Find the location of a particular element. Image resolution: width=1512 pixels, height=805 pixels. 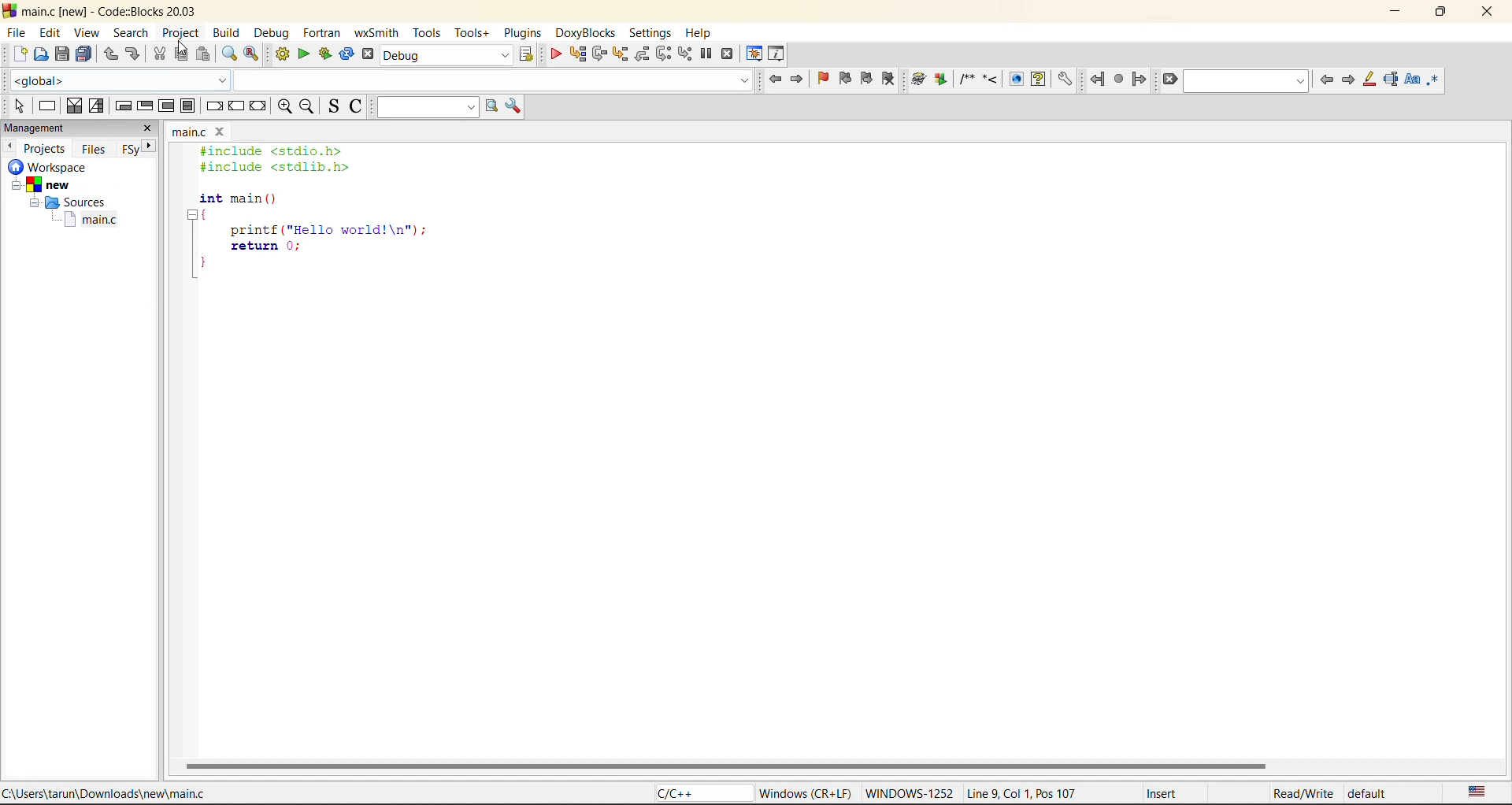

horizontal scroll bar is located at coordinates (727, 765).